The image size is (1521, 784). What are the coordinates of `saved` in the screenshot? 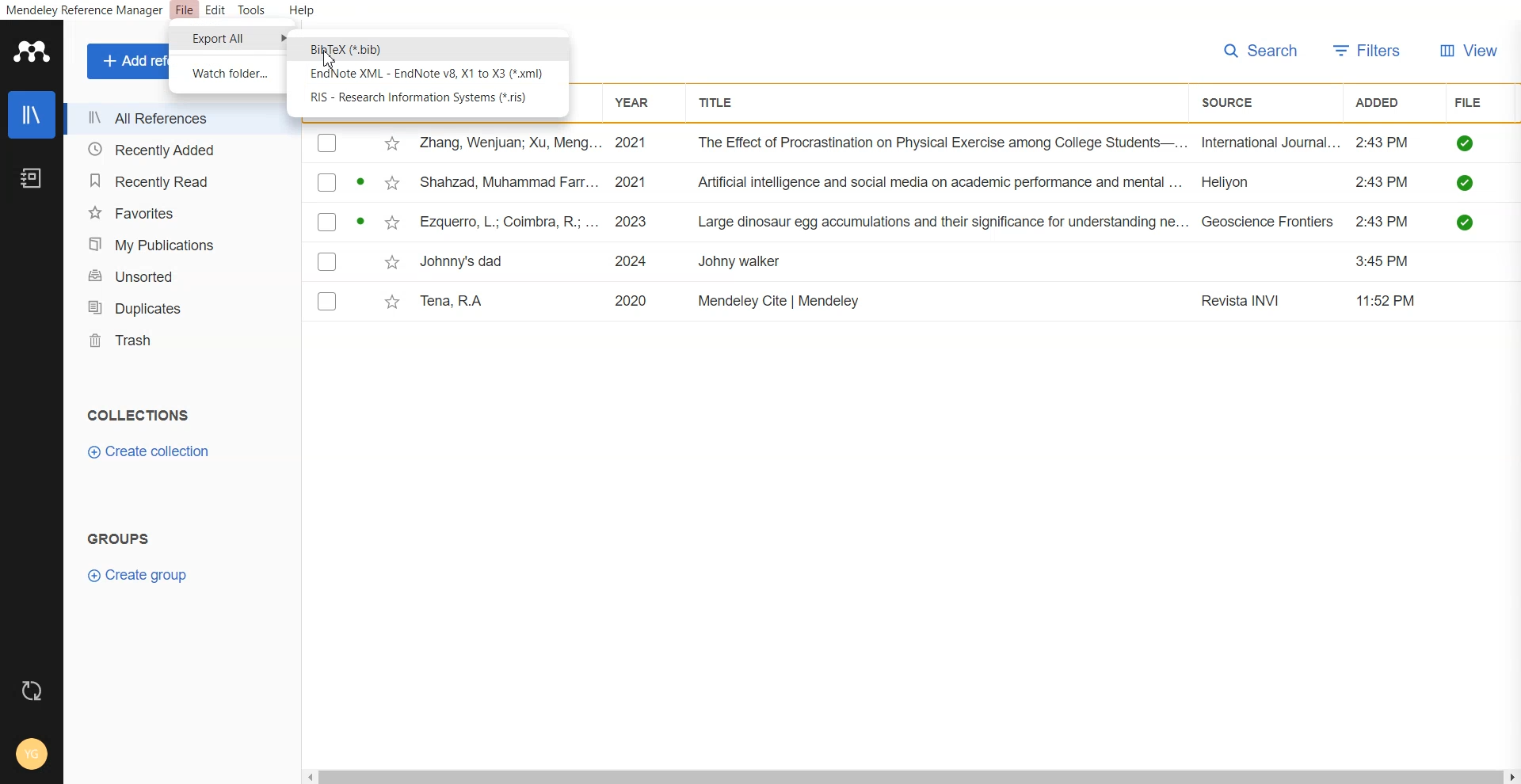 It's located at (1467, 182).